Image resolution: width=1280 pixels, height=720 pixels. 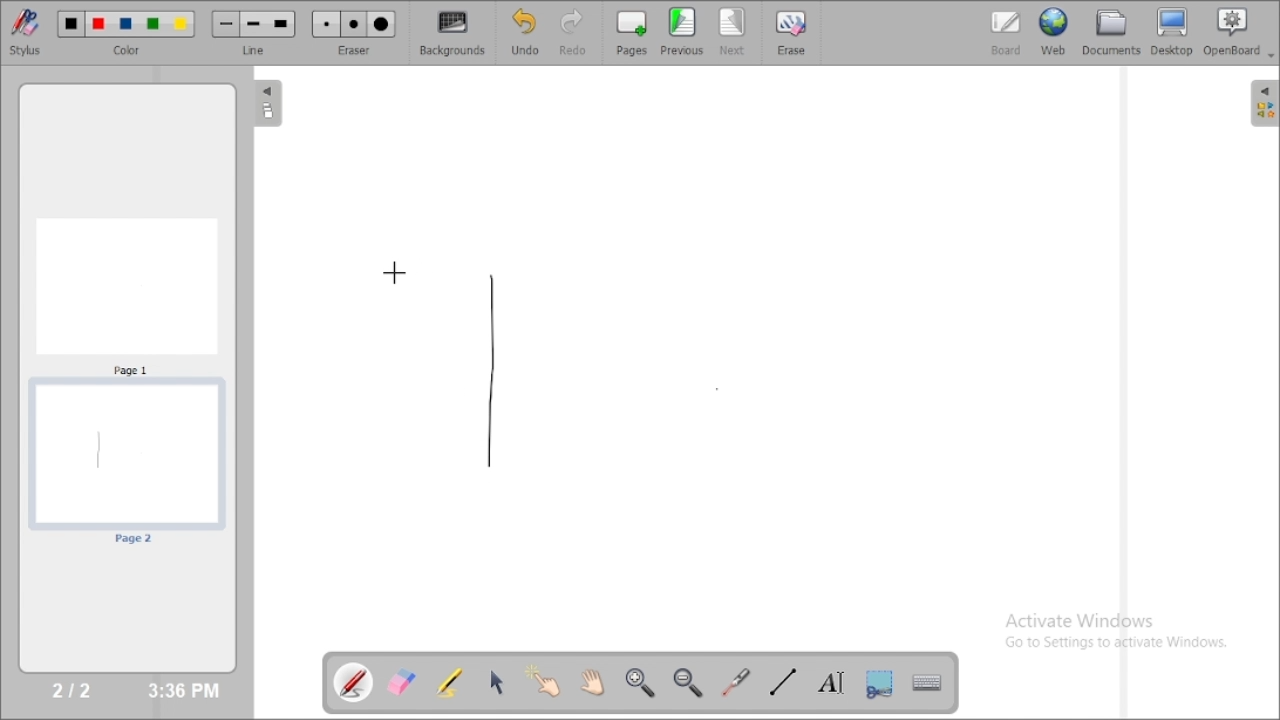 What do you see at coordinates (1122, 634) in the screenshot?
I see `Activate Windows
Go to Settings to activate Windows.` at bounding box center [1122, 634].